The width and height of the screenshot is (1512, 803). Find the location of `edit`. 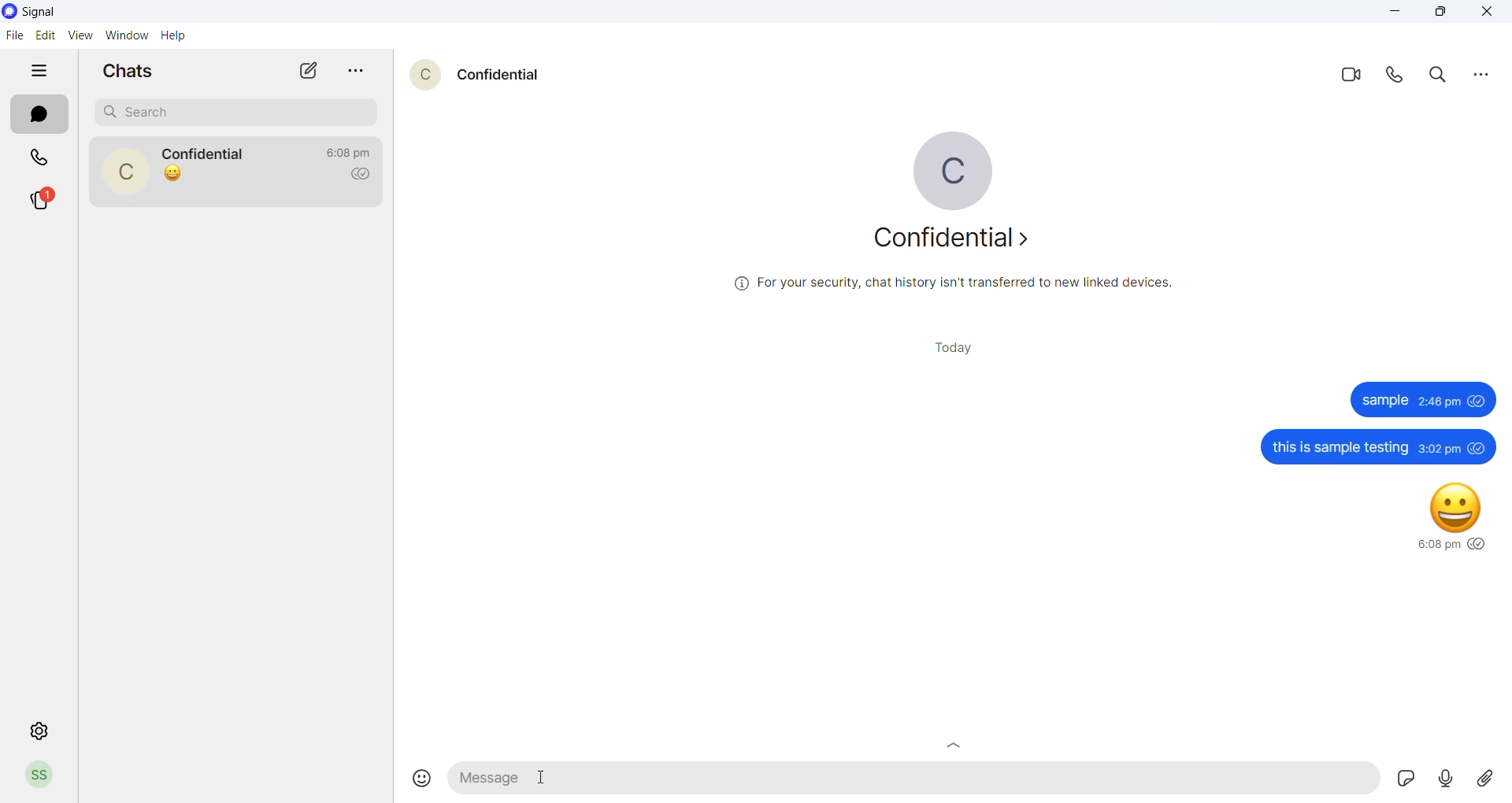

edit is located at coordinates (46, 35).